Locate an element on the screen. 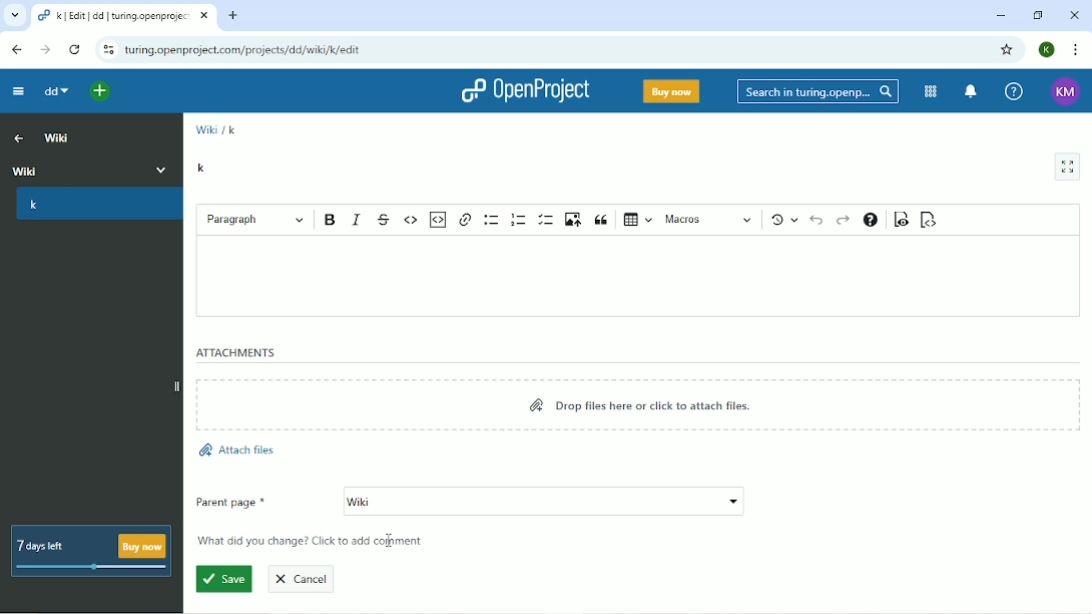  Attach files is located at coordinates (236, 451).